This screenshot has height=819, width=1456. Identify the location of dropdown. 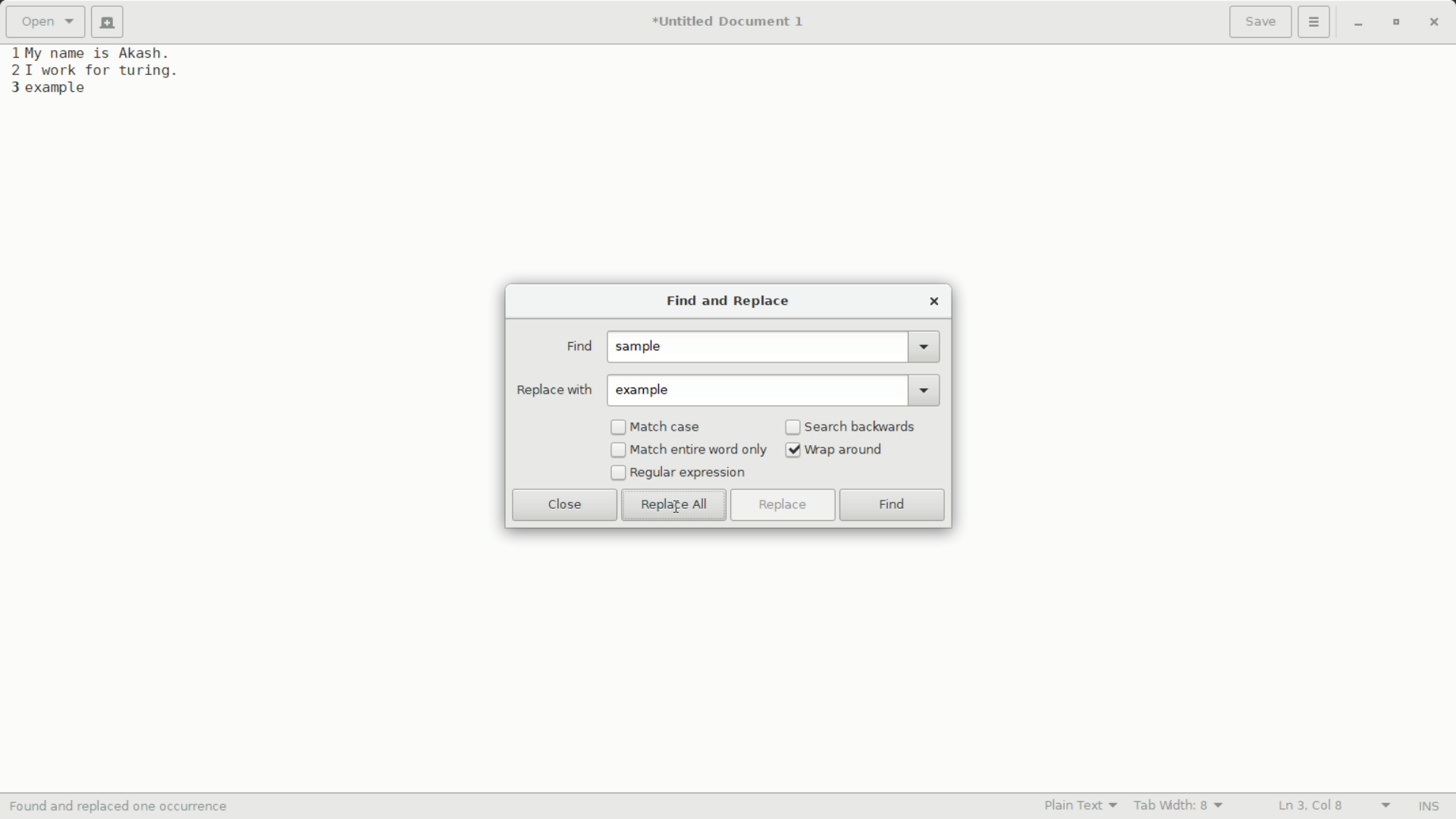
(925, 347).